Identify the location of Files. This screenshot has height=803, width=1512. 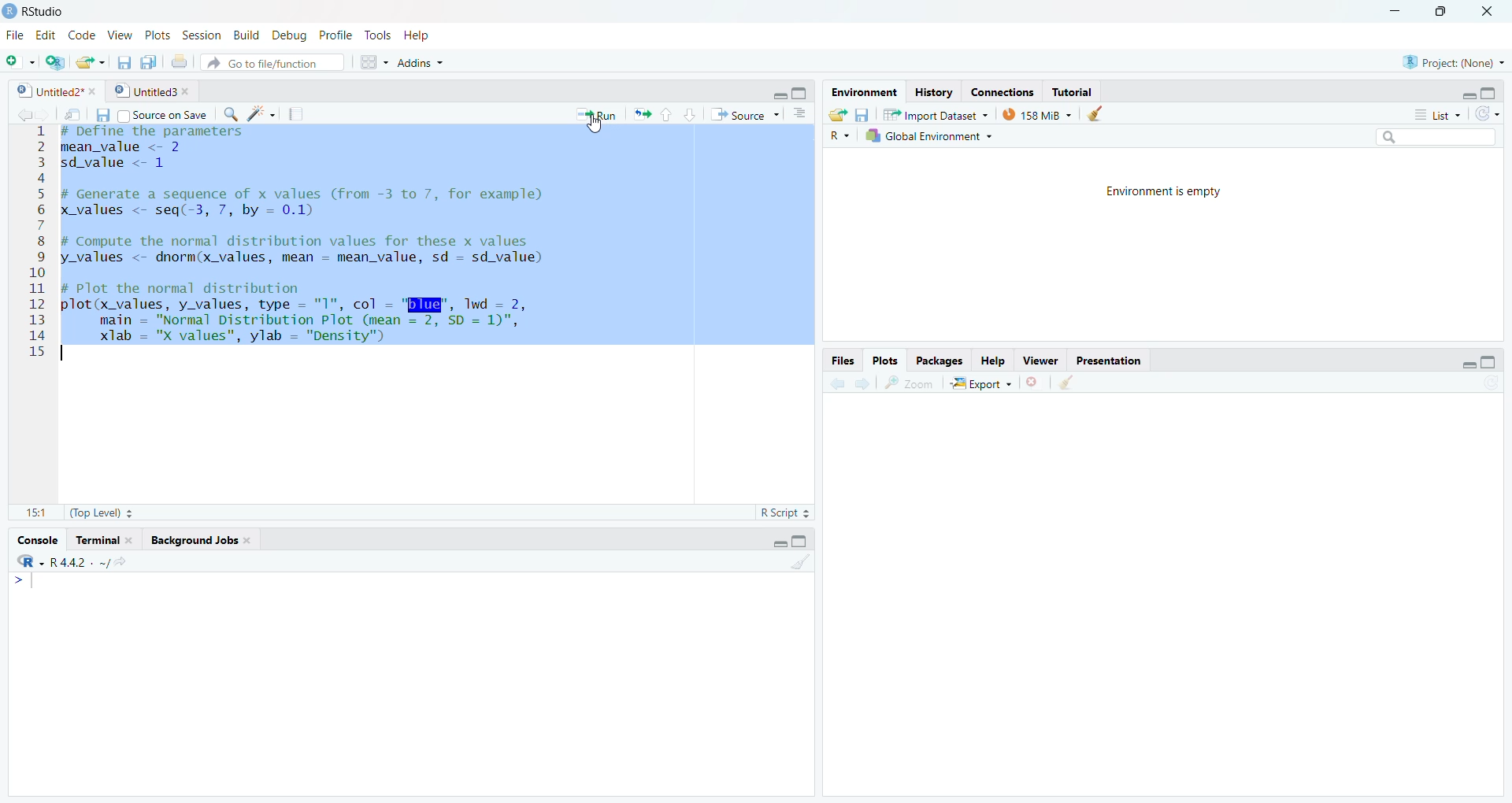
(842, 360).